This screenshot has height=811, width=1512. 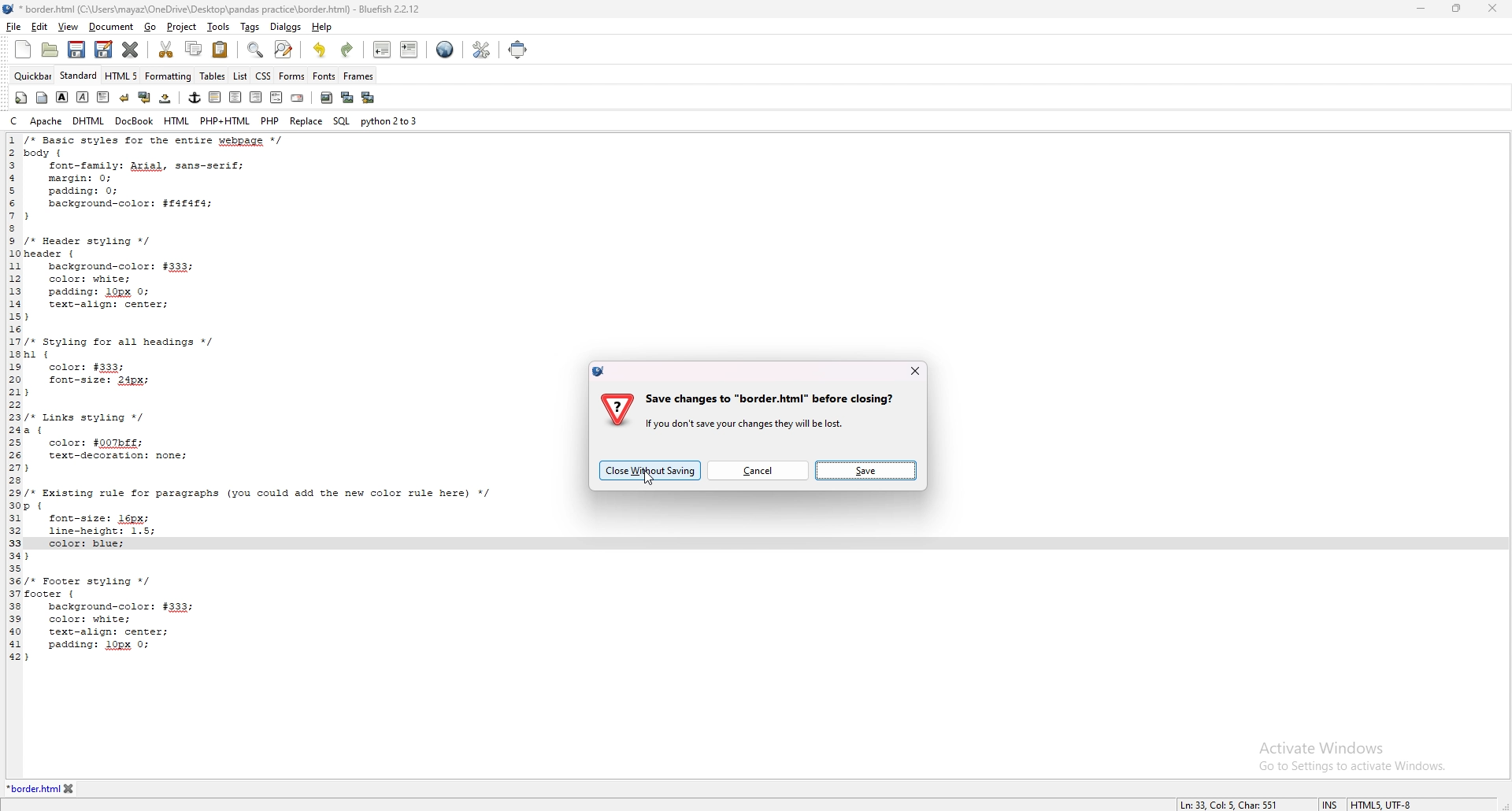 I want to click on sql, so click(x=341, y=120).